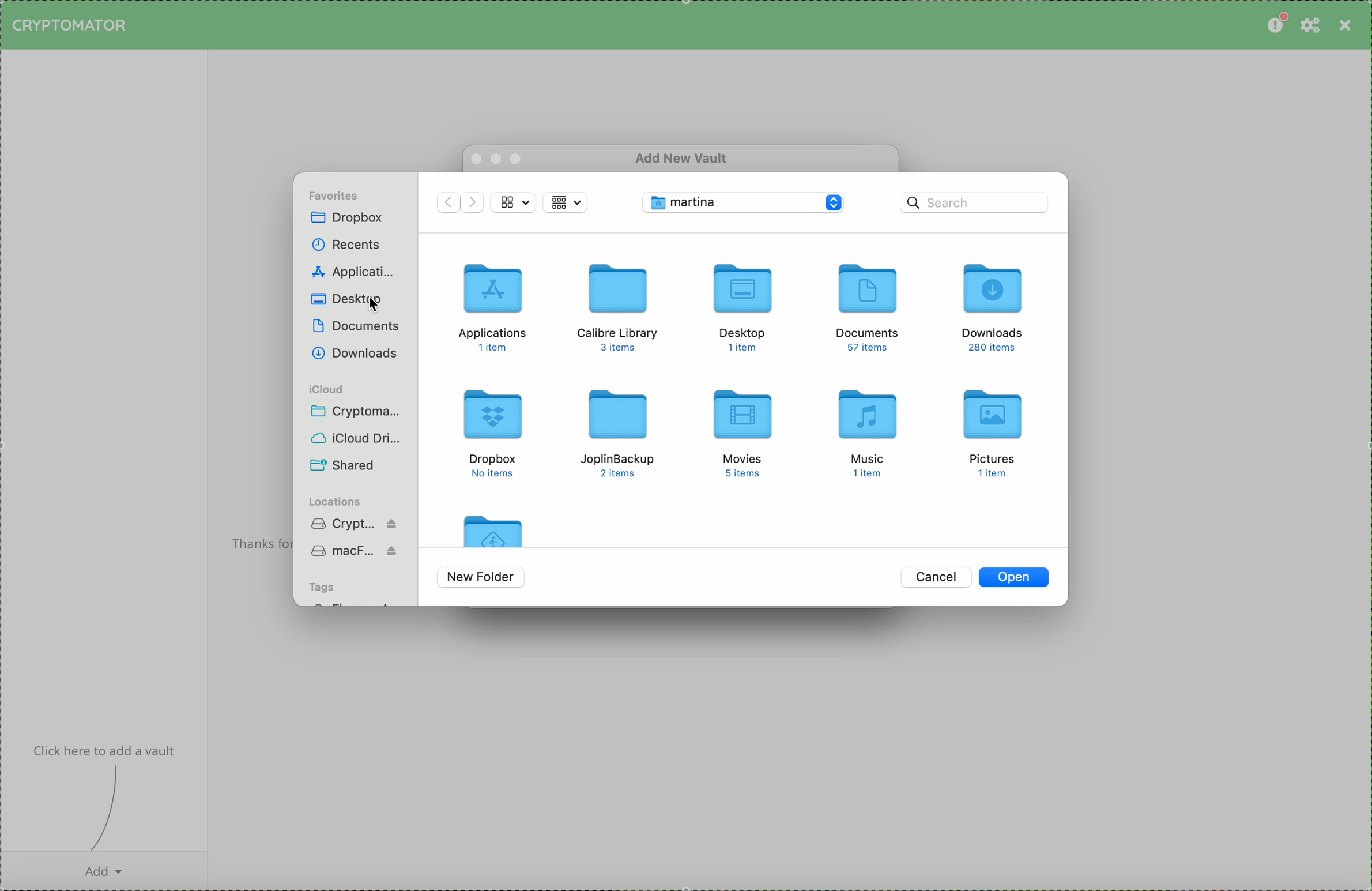 This screenshot has height=891, width=1372. Describe the element at coordinates (474, 202) in the screenshot. I see `navigate foward` at that location.